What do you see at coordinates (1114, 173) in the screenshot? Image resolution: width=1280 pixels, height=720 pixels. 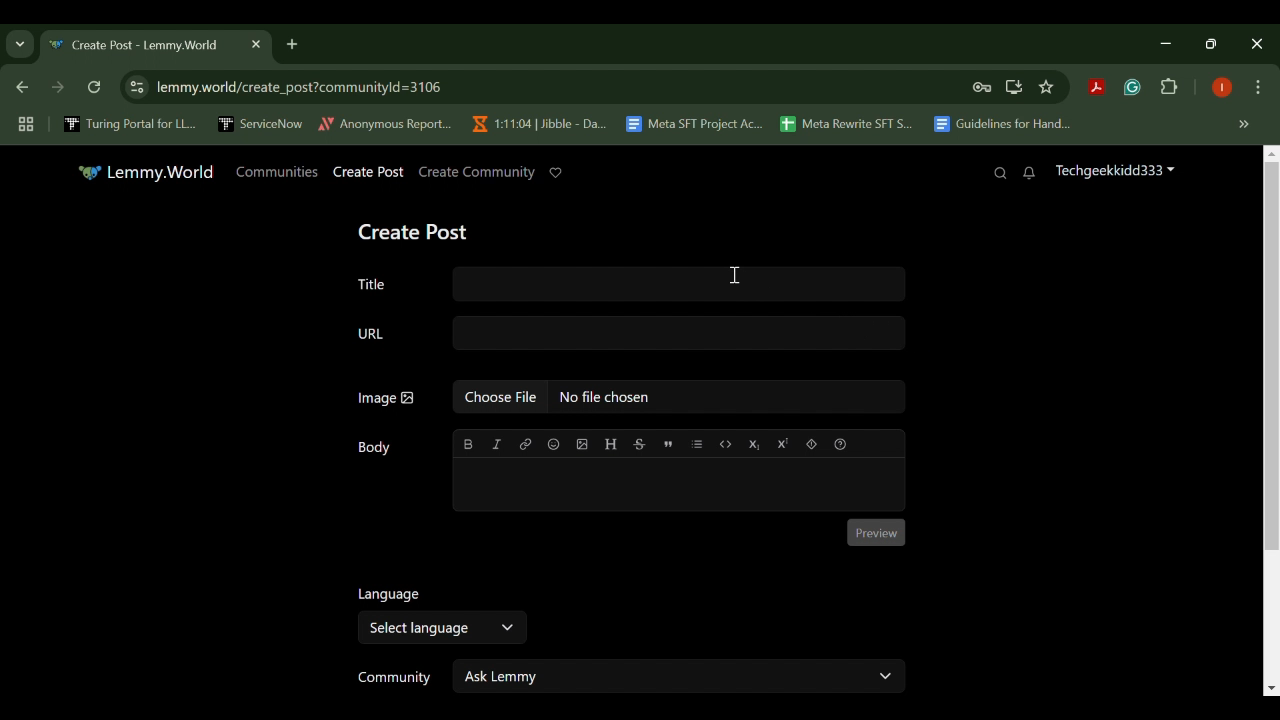 I see `Techgeekkidd333` at bounding box center [1114, 173].